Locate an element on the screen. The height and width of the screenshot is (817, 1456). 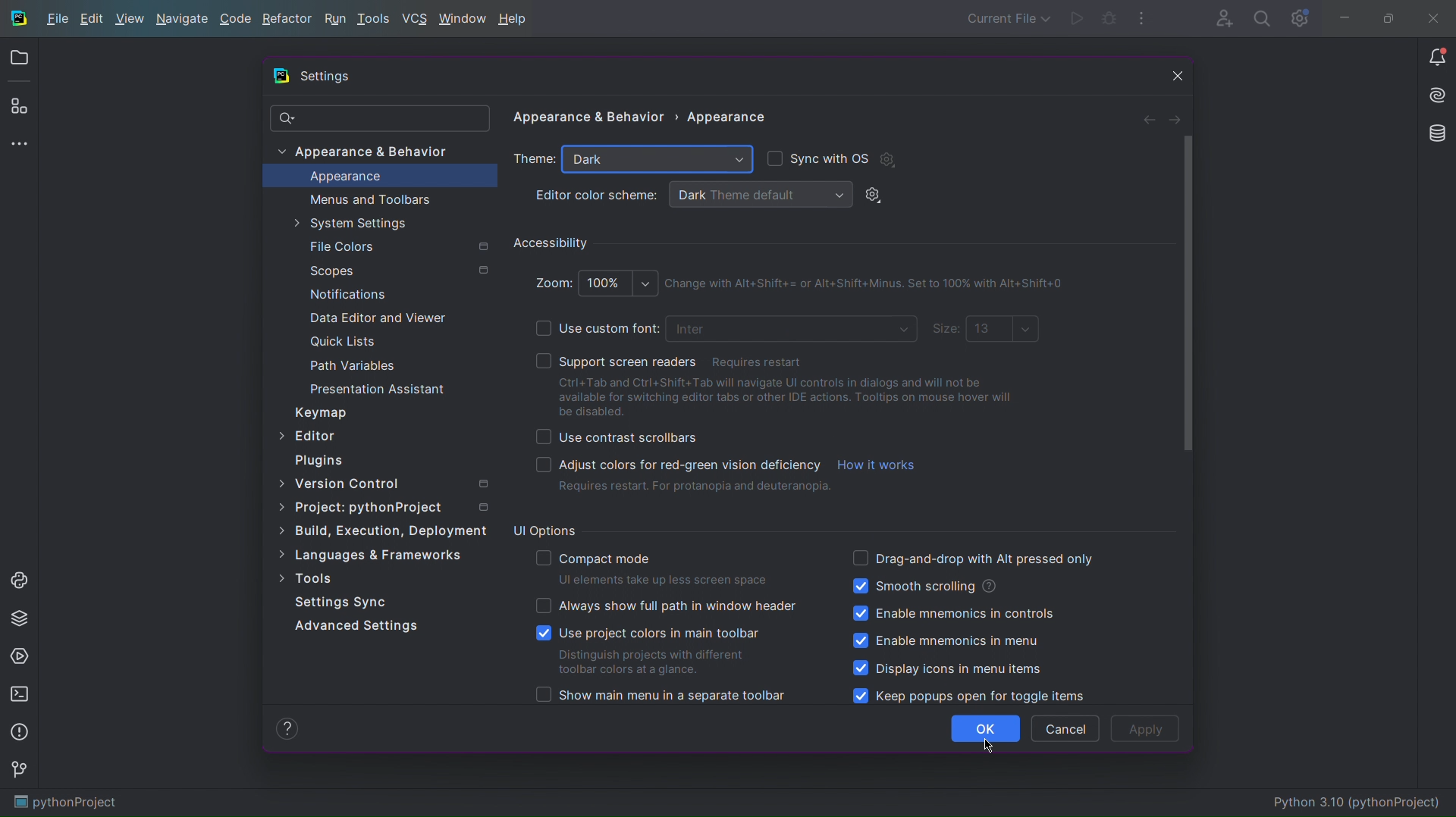
Menu and Toolbars is located at coordinates (368, 199).